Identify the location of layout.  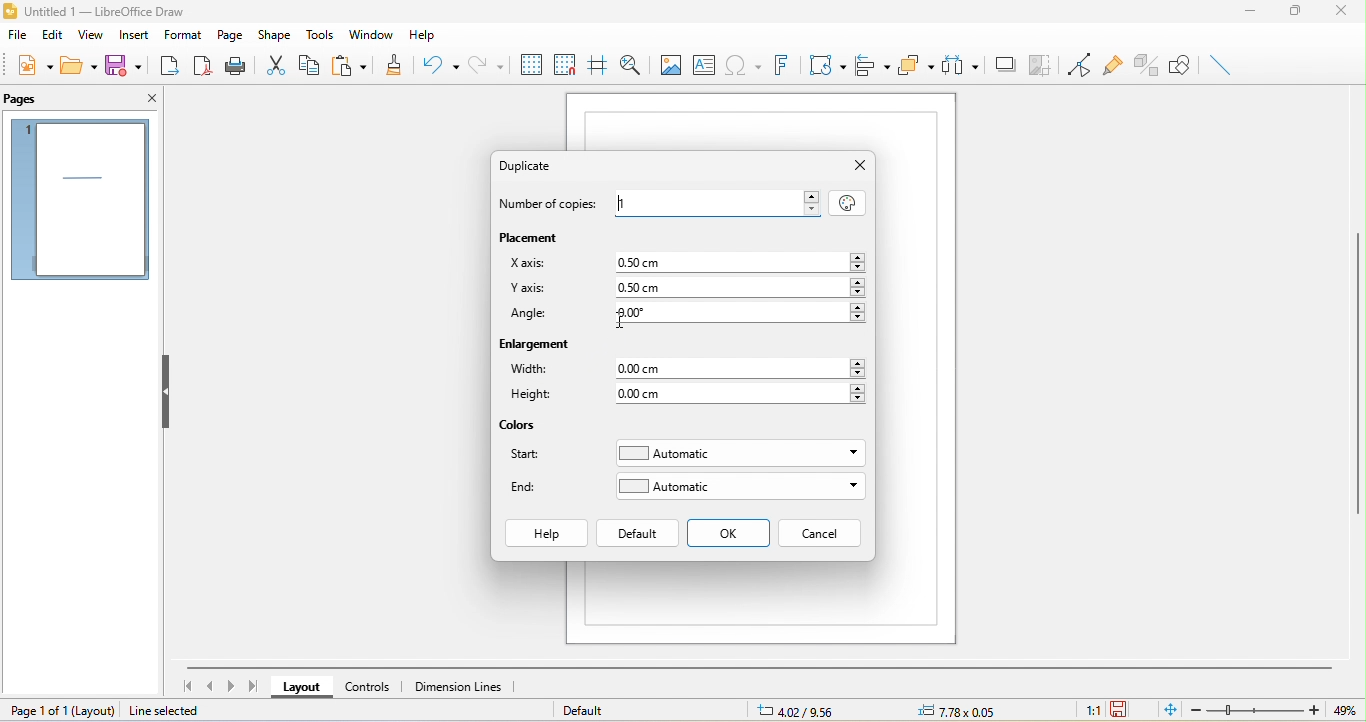
(298, 688).